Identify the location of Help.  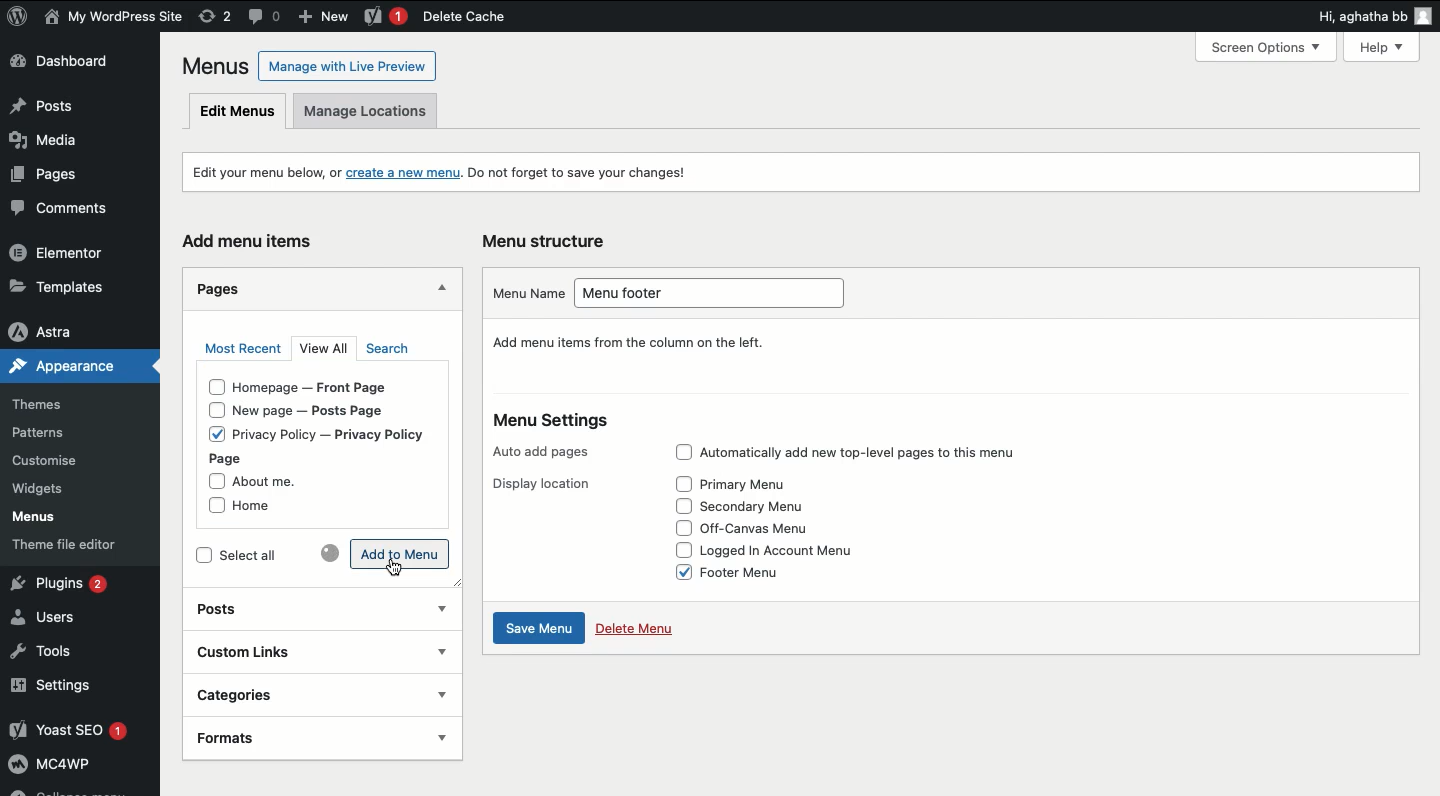
(1386, 45).